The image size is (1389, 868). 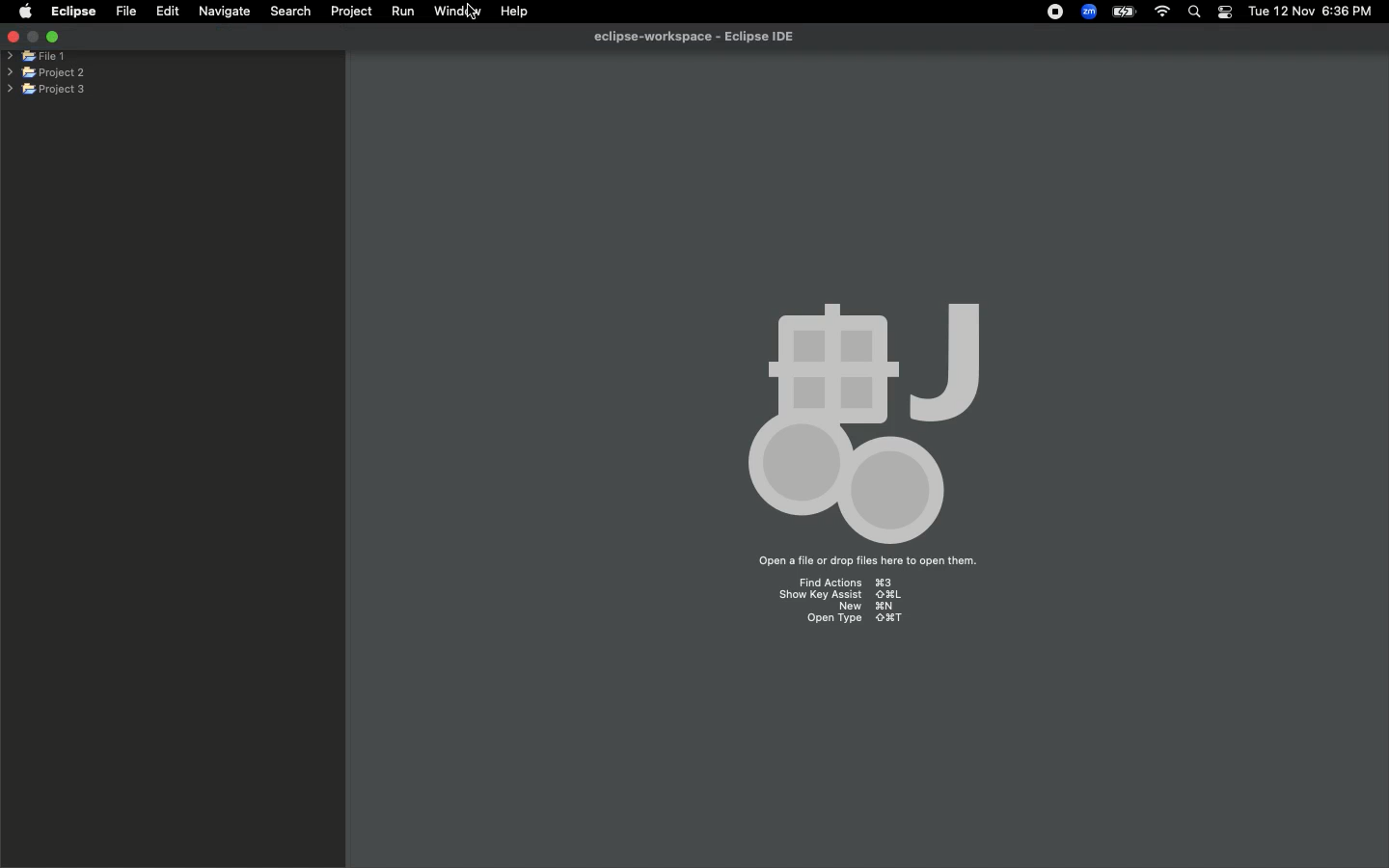 I want to click on Apple logo, so click(x=25, y=11).